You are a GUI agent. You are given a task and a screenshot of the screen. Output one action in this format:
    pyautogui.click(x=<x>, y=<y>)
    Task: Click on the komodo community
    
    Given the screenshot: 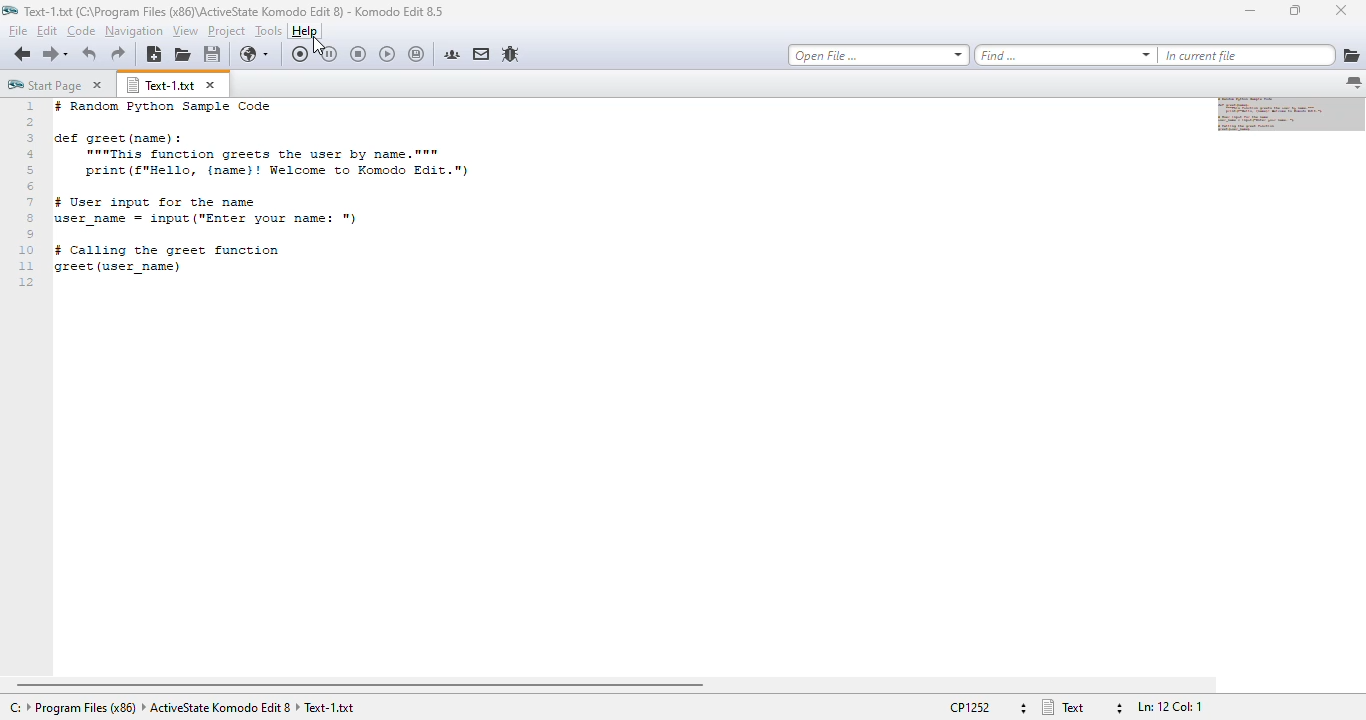 What is the action you would take?
    pyautogui.click(x=452, y=53)
    